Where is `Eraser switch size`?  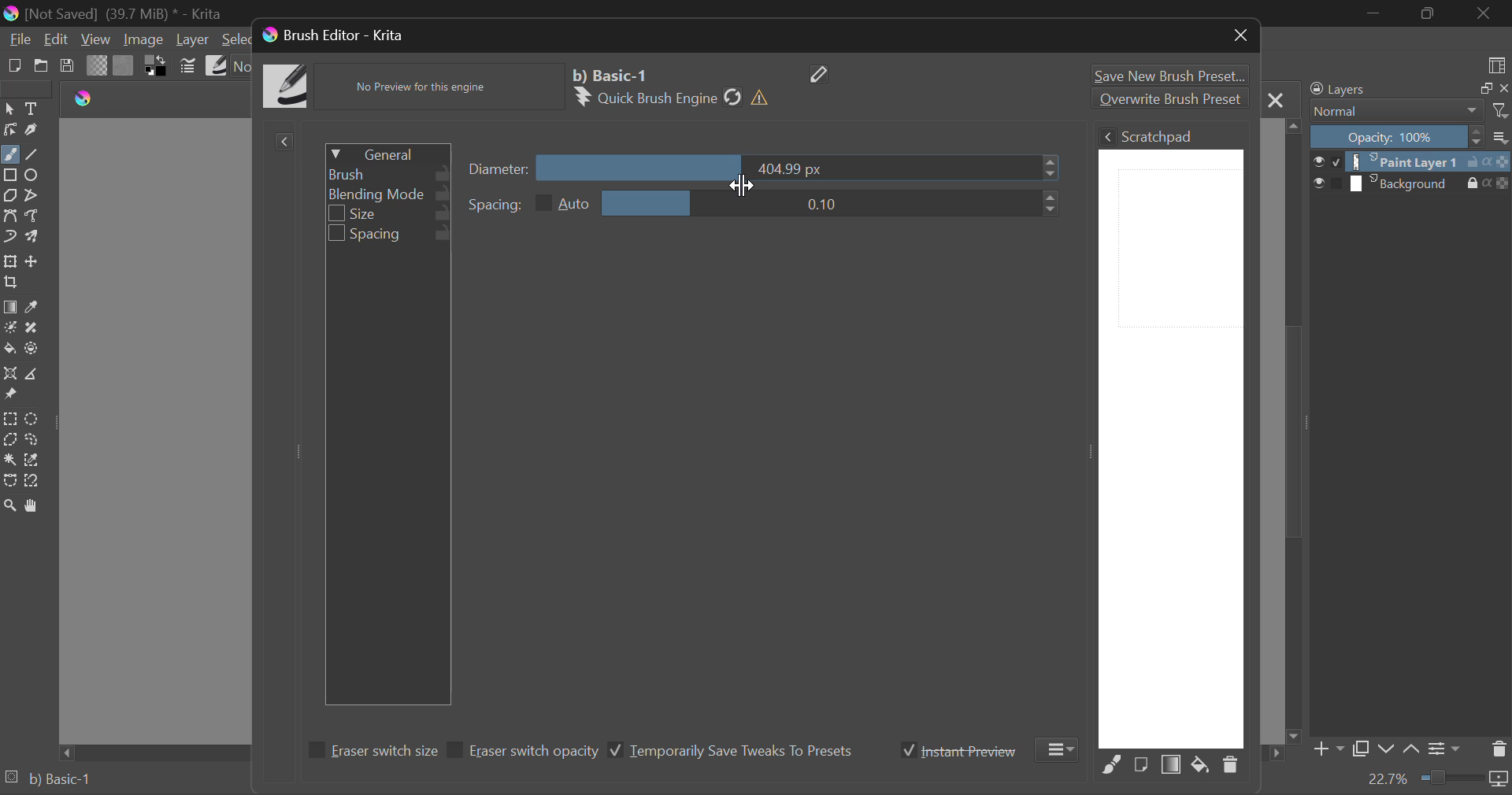
Eraser switch size is located at coordinates (370, 752).